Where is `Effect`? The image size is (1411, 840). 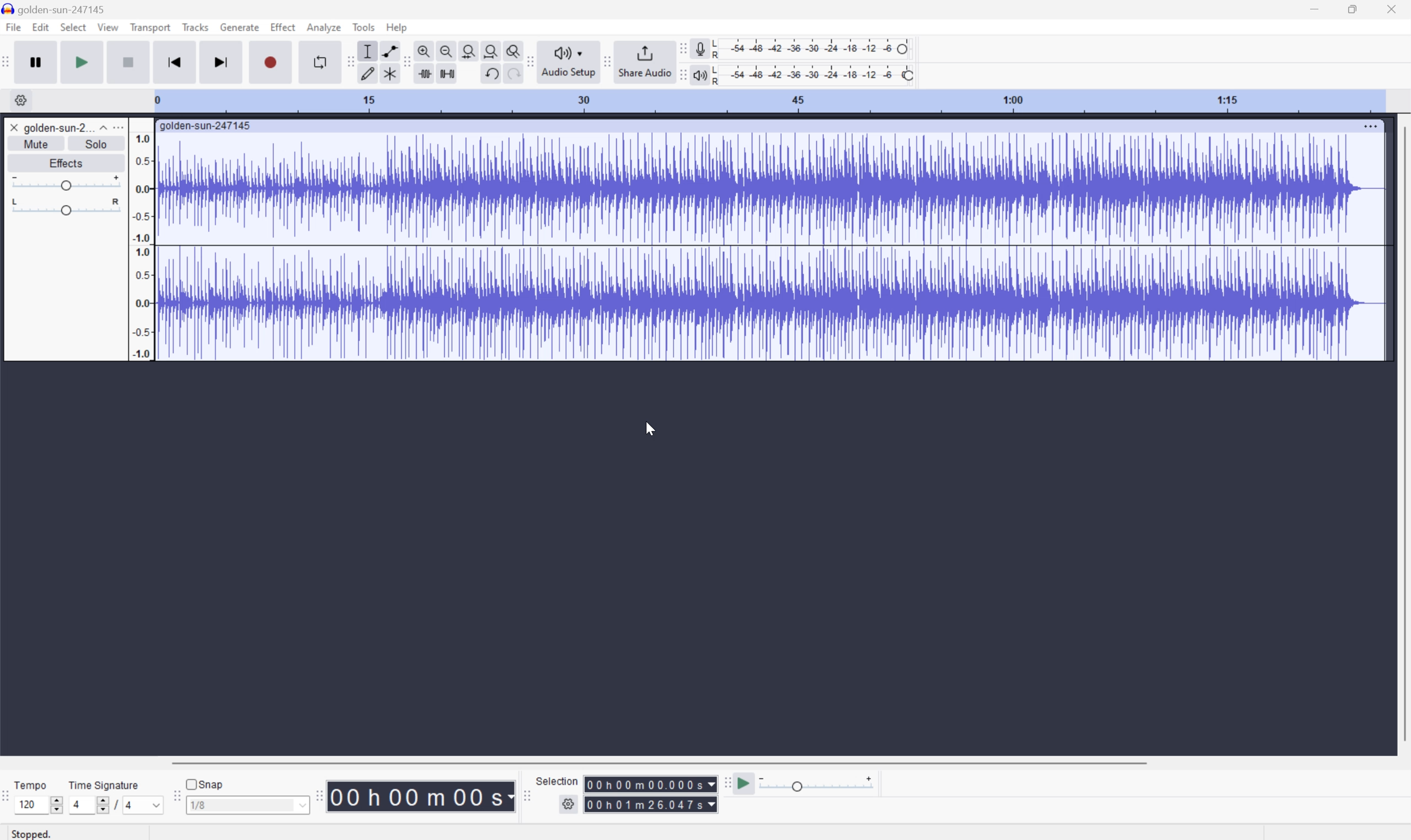
Effect is located at coordinates (283, 26).